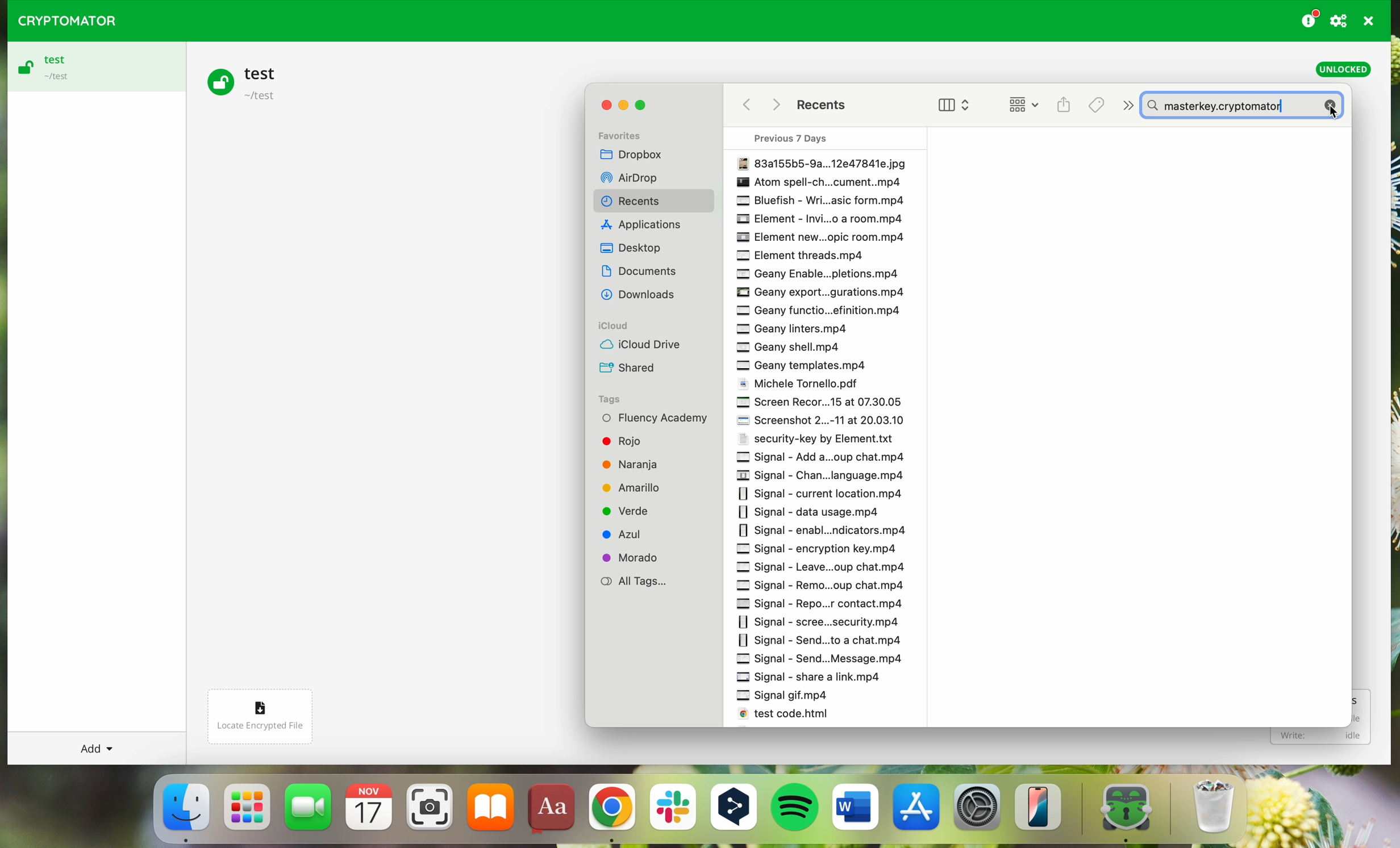 Image resolution: width=1400 pixels, height=848 pixels. What do you see at coordinates (978, 812) in the screenshot?
I see `settings` at bounding box center [978, 812].